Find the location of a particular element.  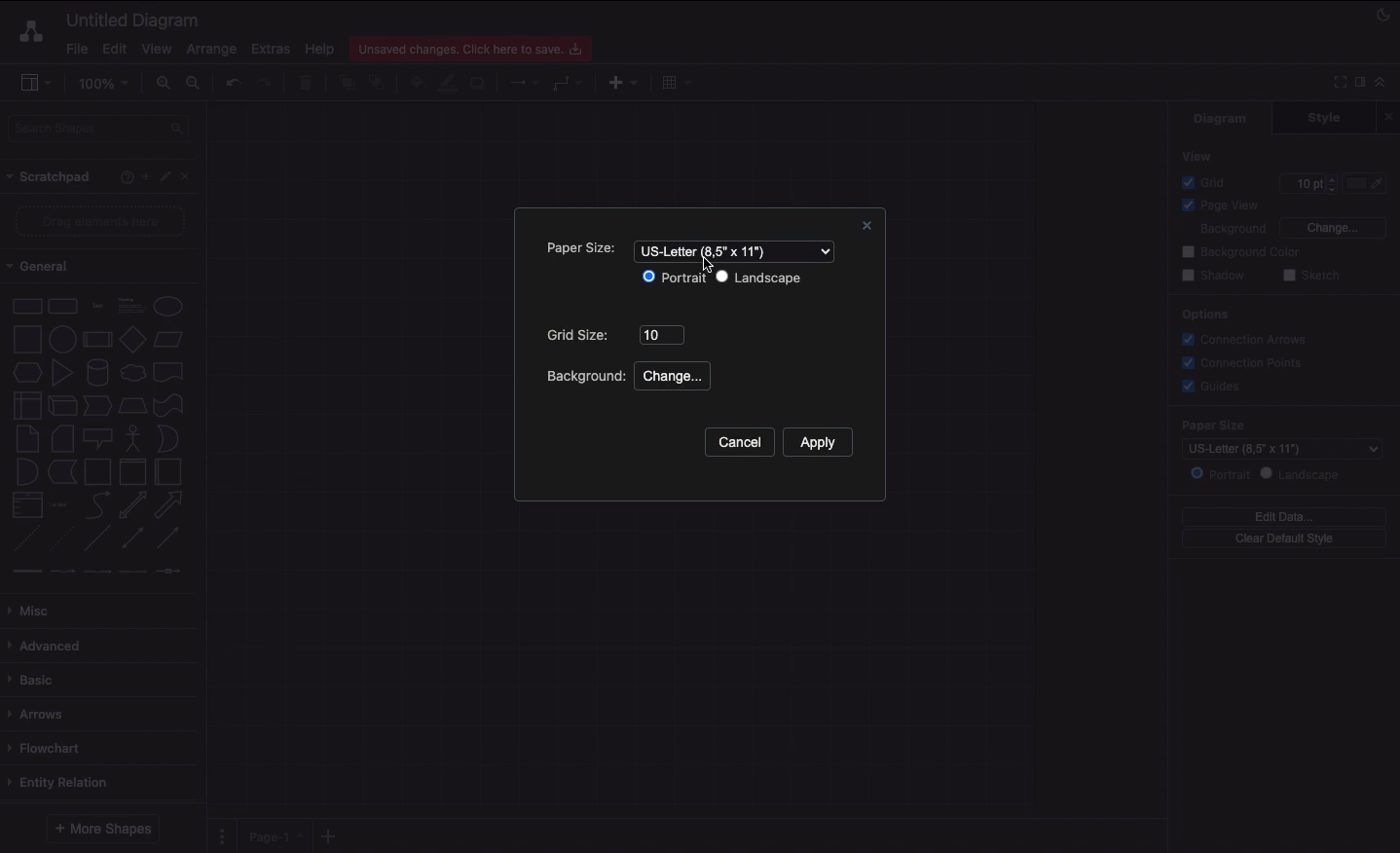

Cylinder is located at coordinates (97, 373).